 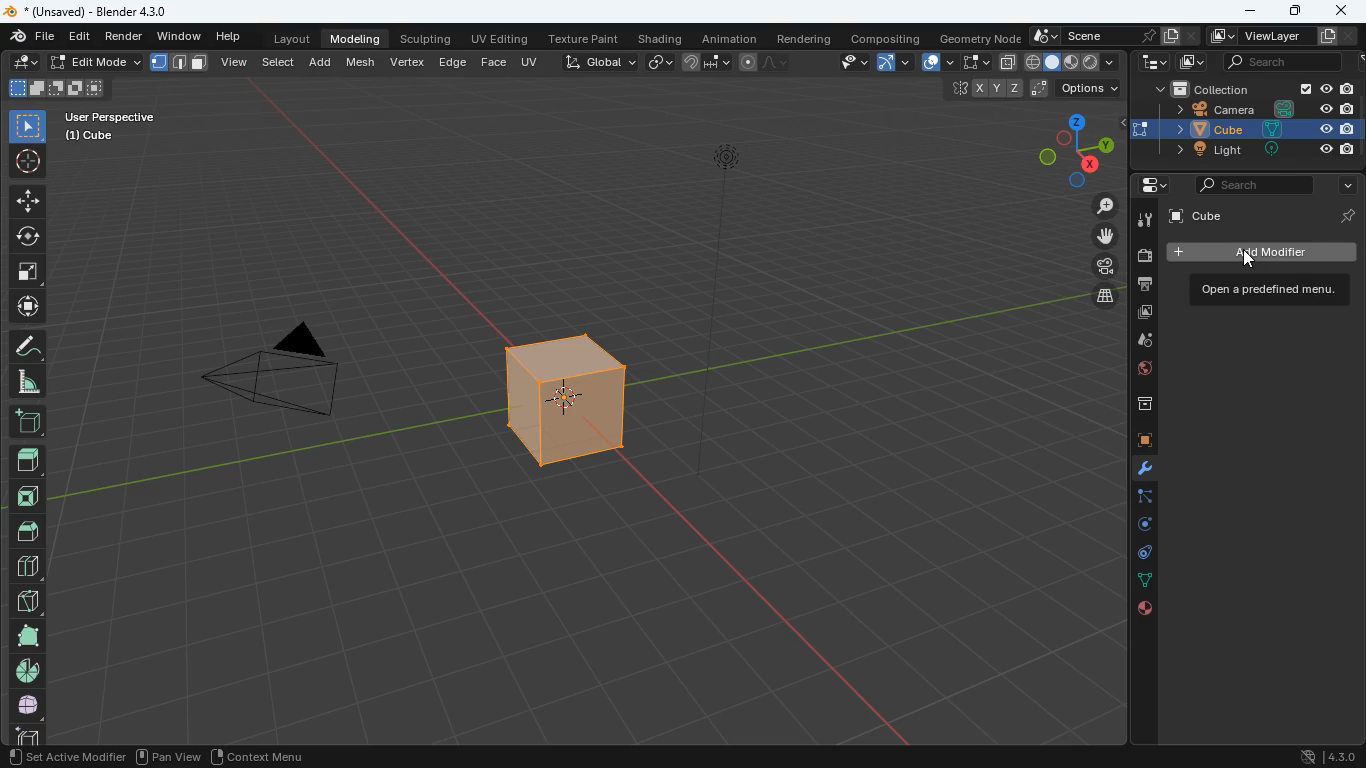 I want to click on pan view, so click(x=170, y=758).